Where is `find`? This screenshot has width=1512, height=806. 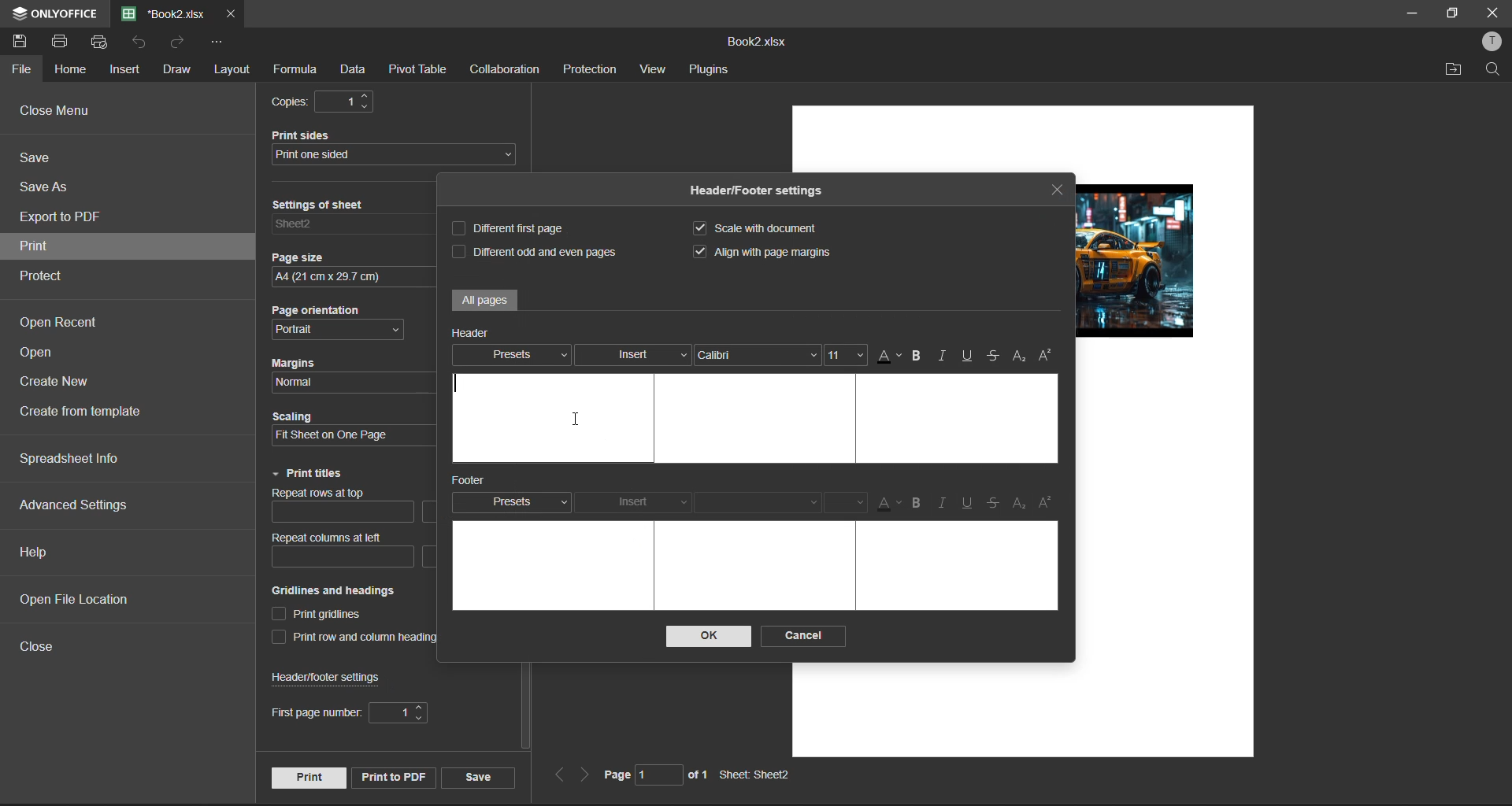
find is located at coordinates (1496, 70).